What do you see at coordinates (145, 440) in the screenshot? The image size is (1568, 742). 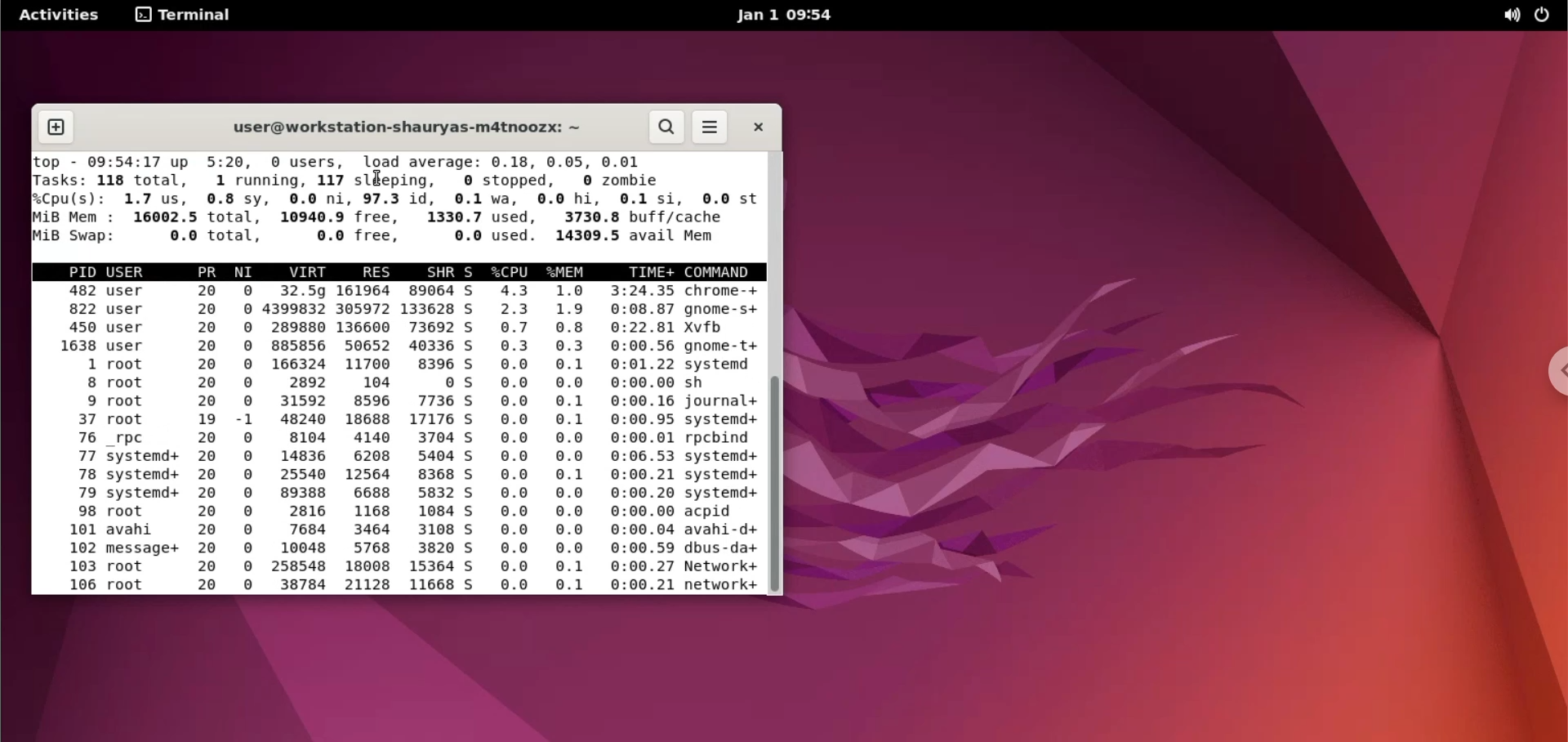 I see `USER ` at bounding box center [145, 440].